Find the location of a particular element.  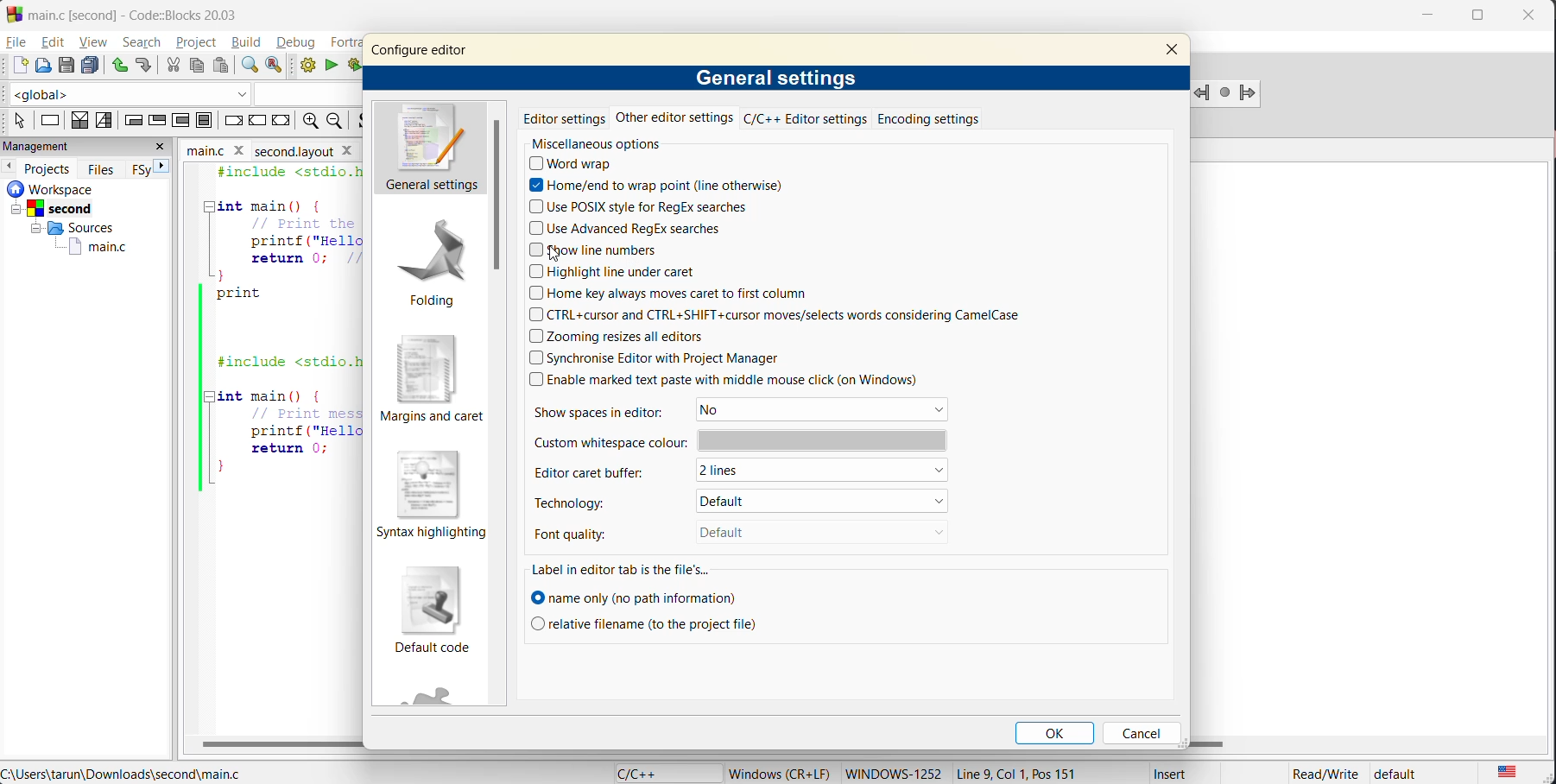

Windows-1252 is located at coordinates (893, 772).